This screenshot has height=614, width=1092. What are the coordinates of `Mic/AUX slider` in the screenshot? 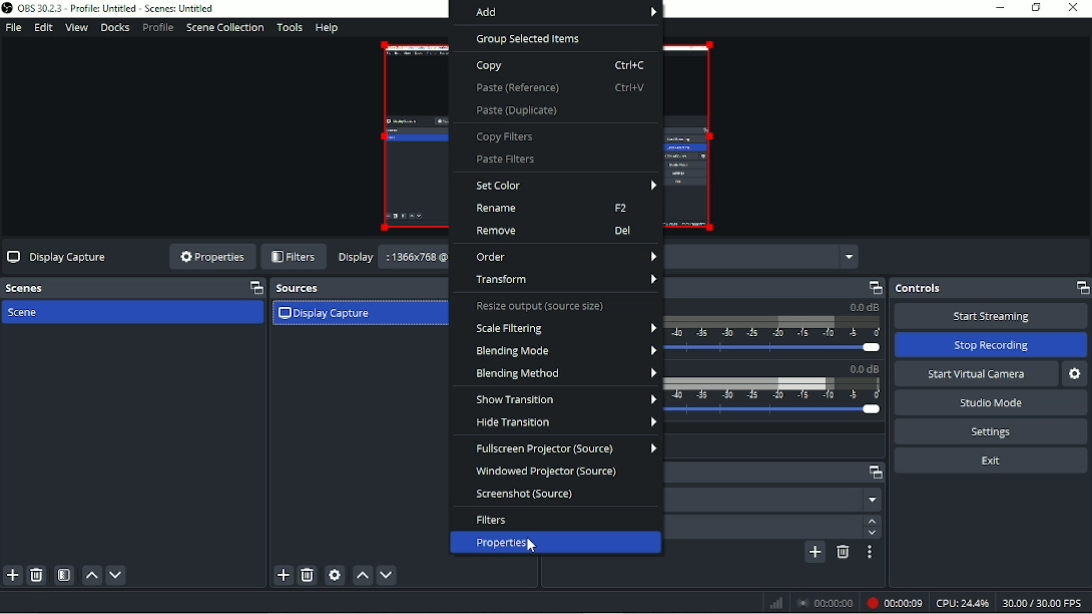 It's located at (777, 393).